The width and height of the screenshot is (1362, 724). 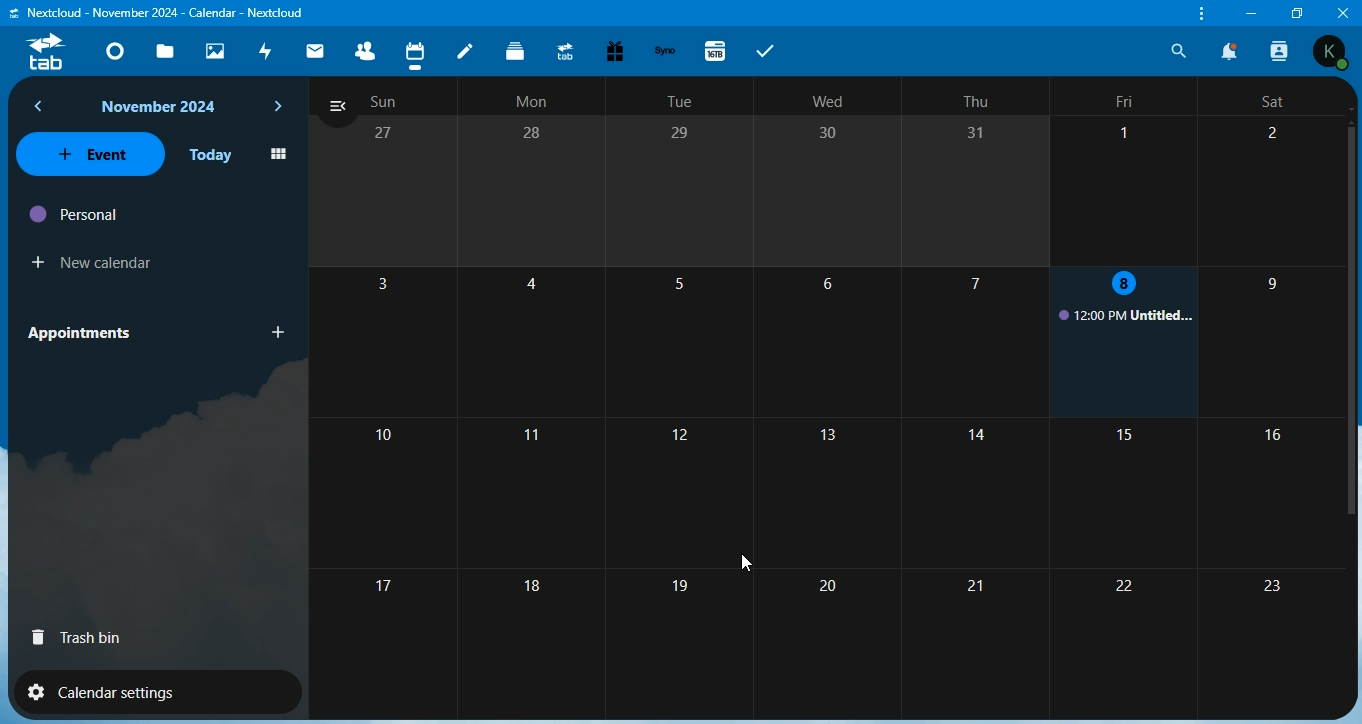 I want to click on notes, so click(x=466, y=48).